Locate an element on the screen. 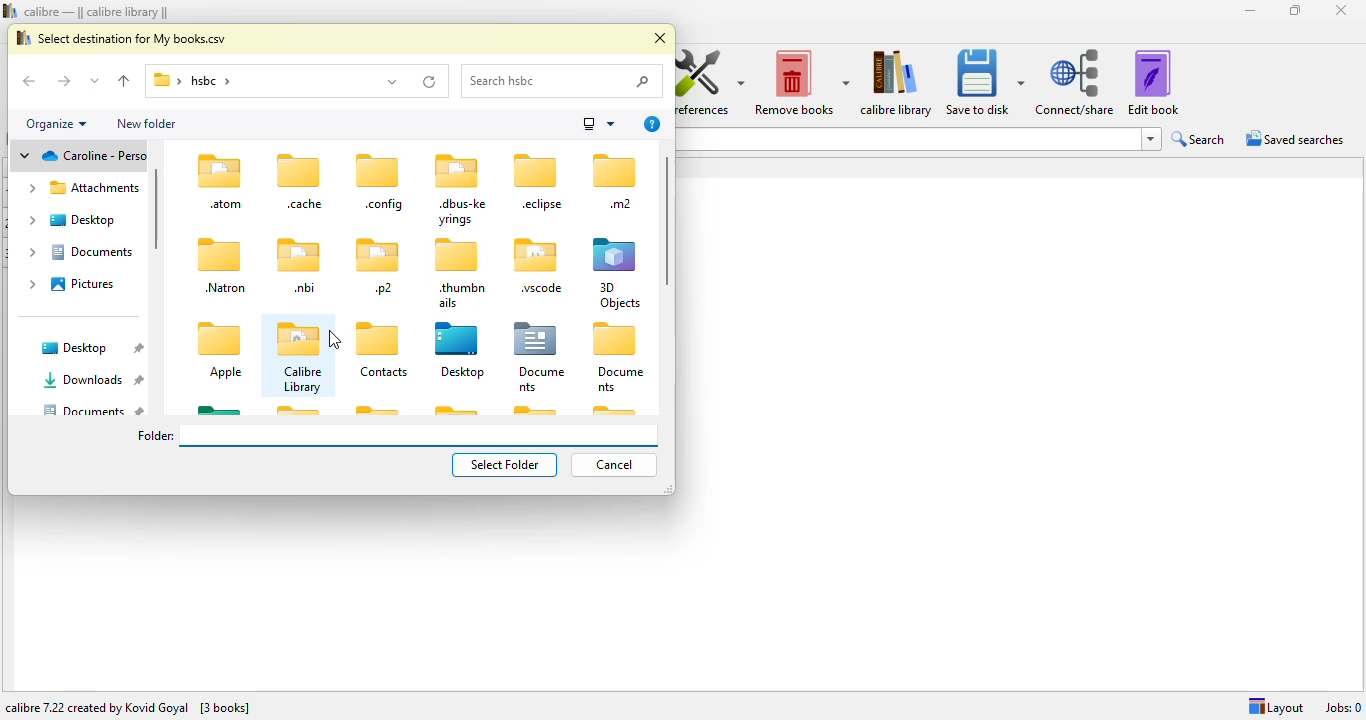 The height and width of the screenshot is (720, 1366). calibre library is located at coordinates (897, 82).